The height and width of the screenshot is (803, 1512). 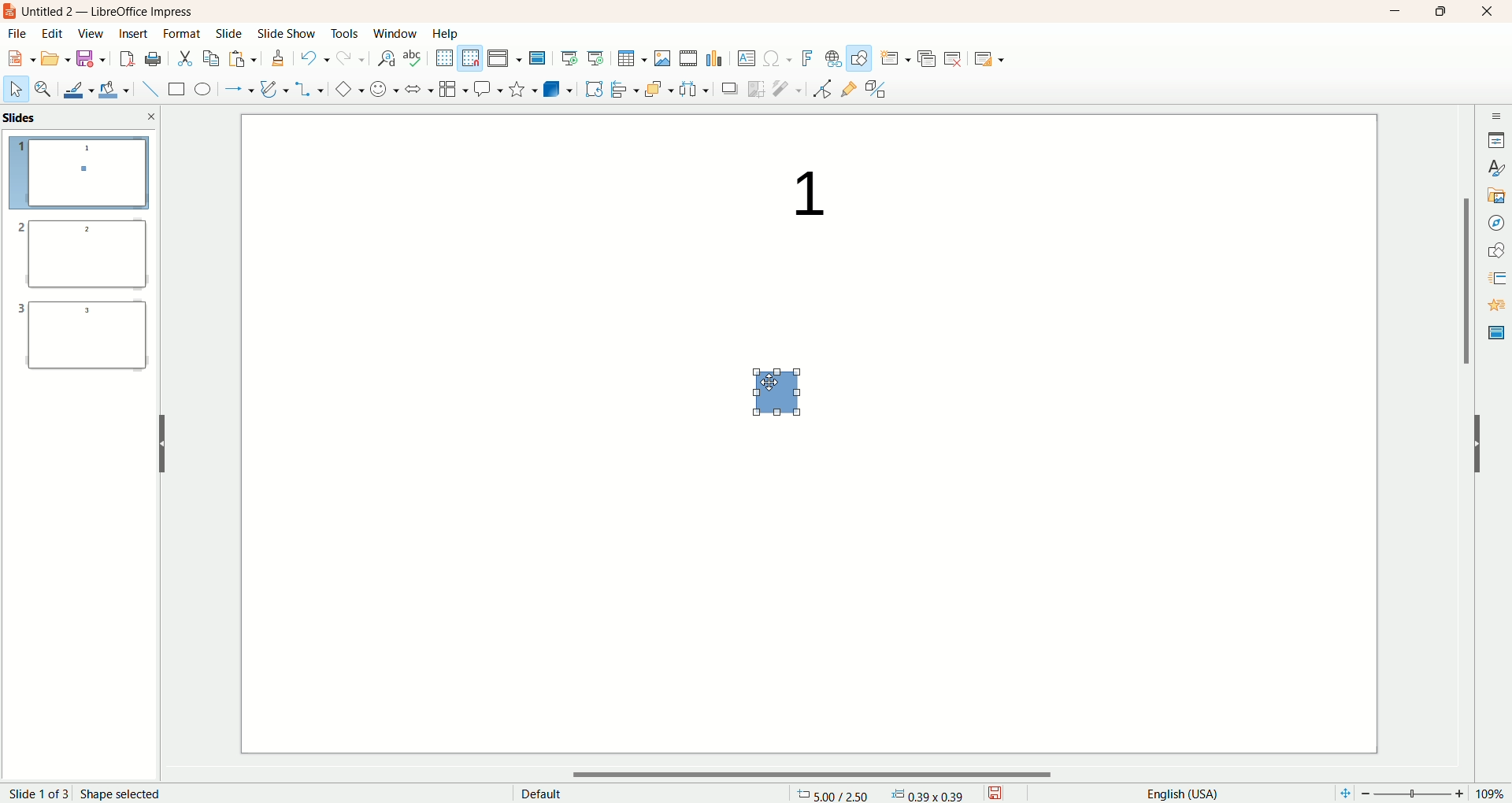 I want to click on fontwork text, so click(x=805, y=57).